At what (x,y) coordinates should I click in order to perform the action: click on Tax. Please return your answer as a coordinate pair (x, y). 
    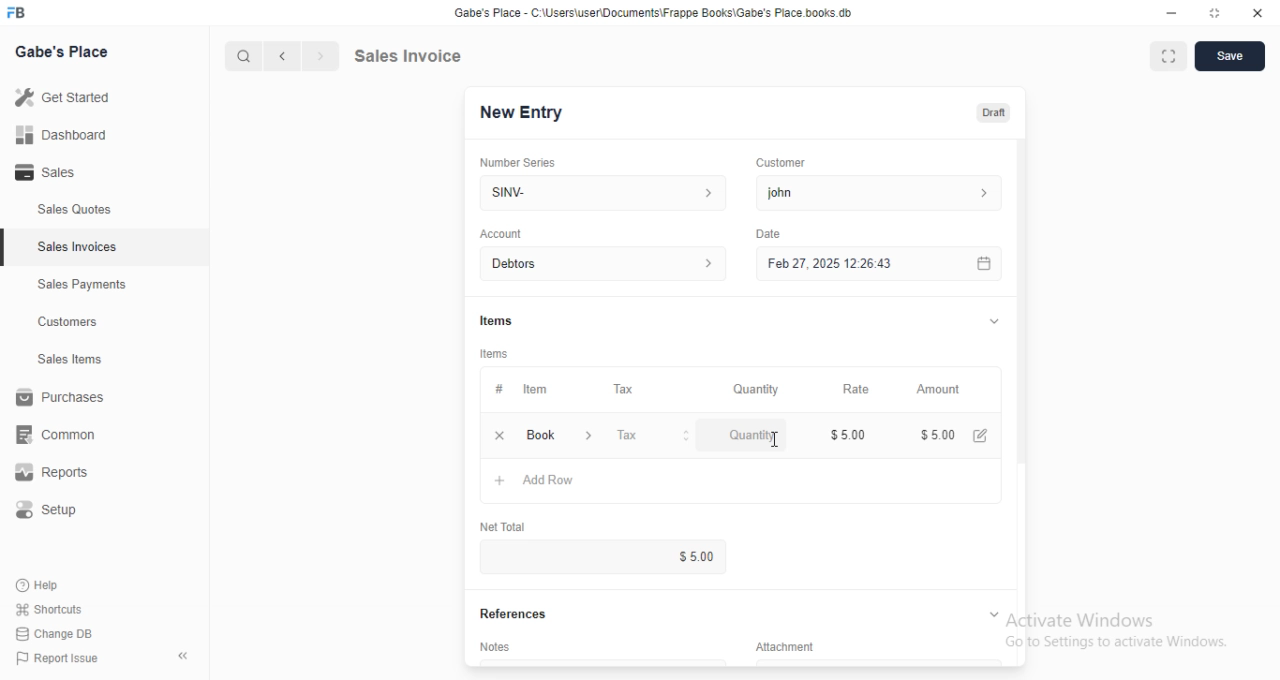
    Looking at the image, I should click on (628, 388).